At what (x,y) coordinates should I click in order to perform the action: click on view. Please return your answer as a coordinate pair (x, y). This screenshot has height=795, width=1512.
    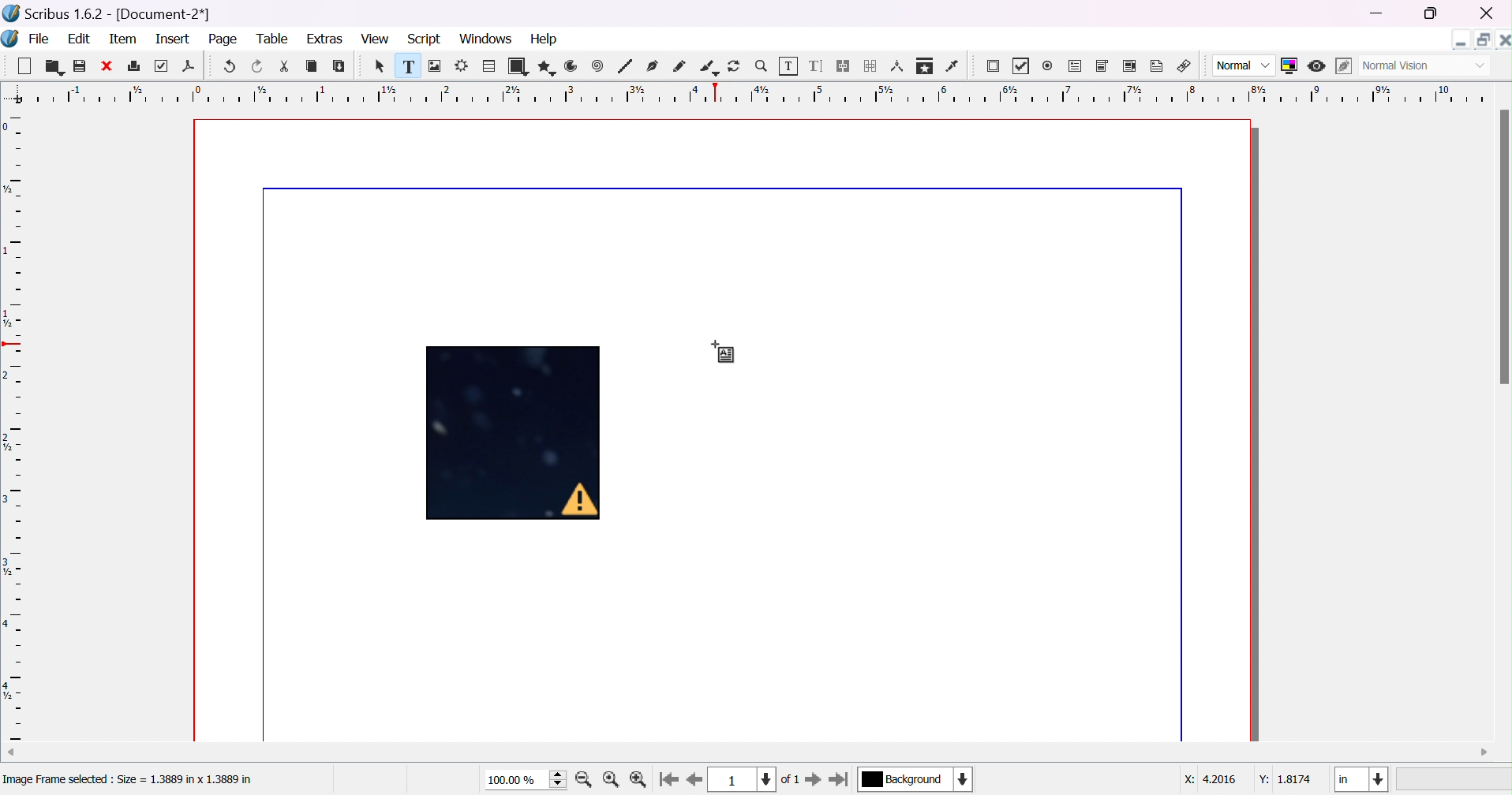
    Looking at the image, I should click on (372, 38).